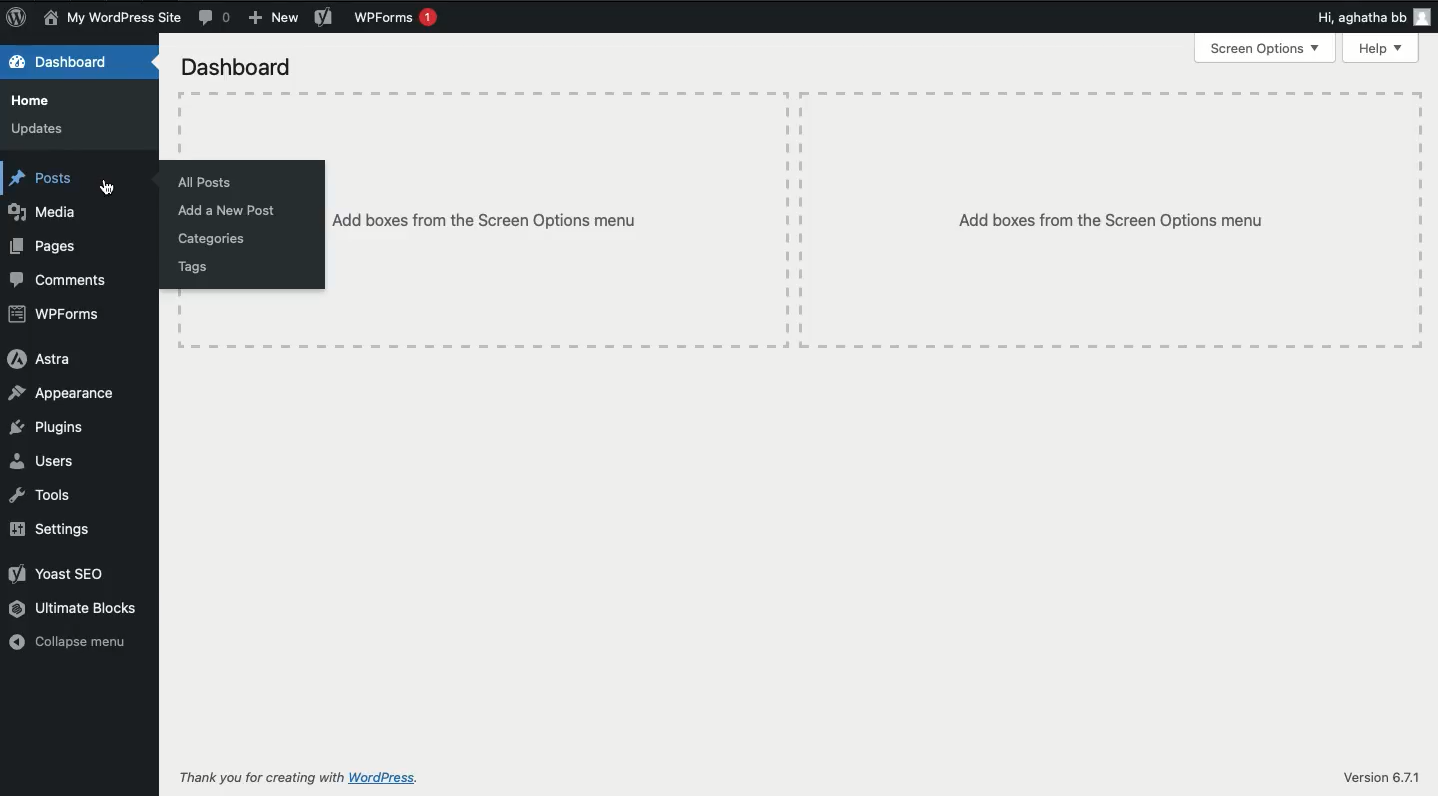 This screenshot has width=1438, height=796. I want to click on Hi user, so click(1368, 17).